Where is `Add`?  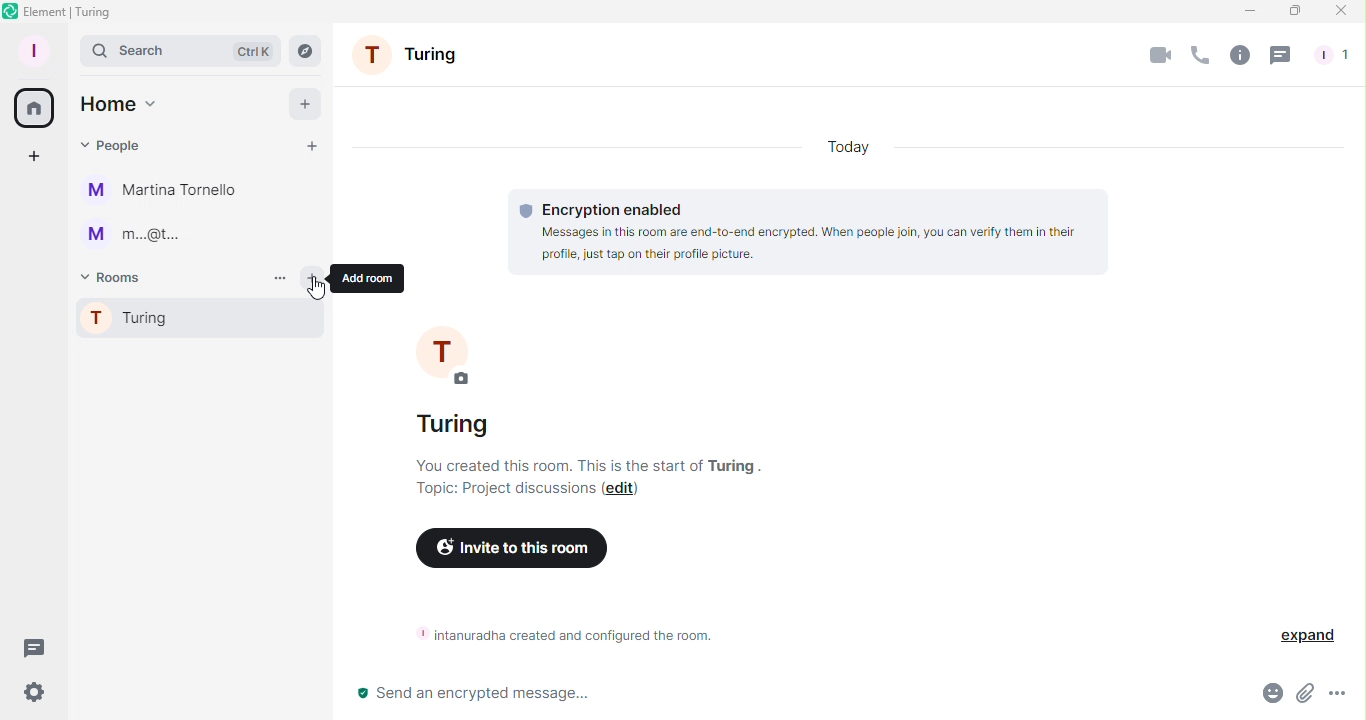 Add is located at coordinates (299, 103).